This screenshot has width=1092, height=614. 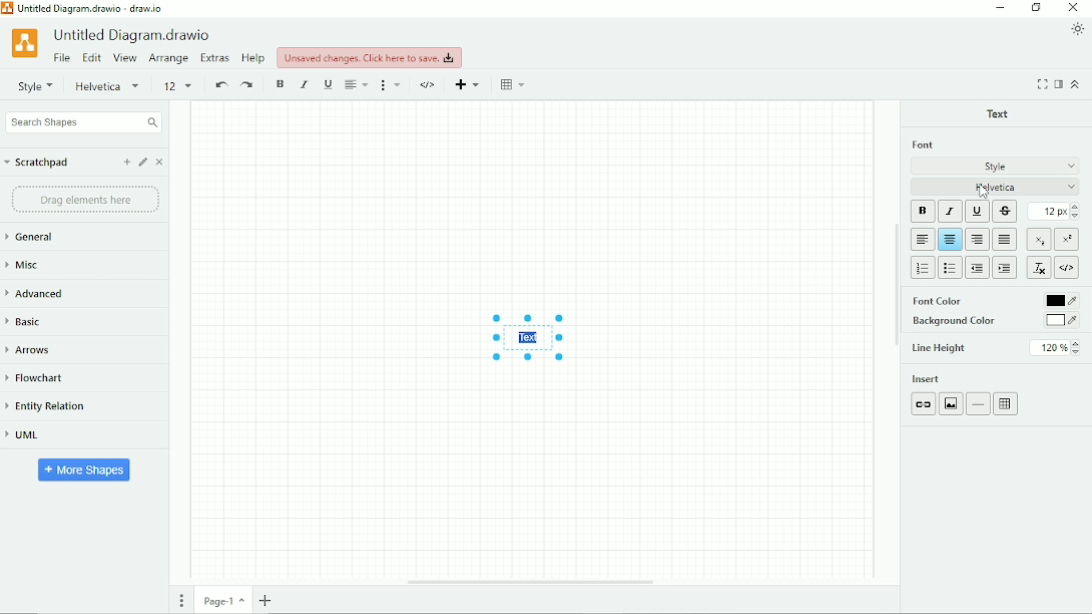 What do you see at coordinates (951, 404) in the screenshot?
I see `Image` at bounding box center [951, 404].